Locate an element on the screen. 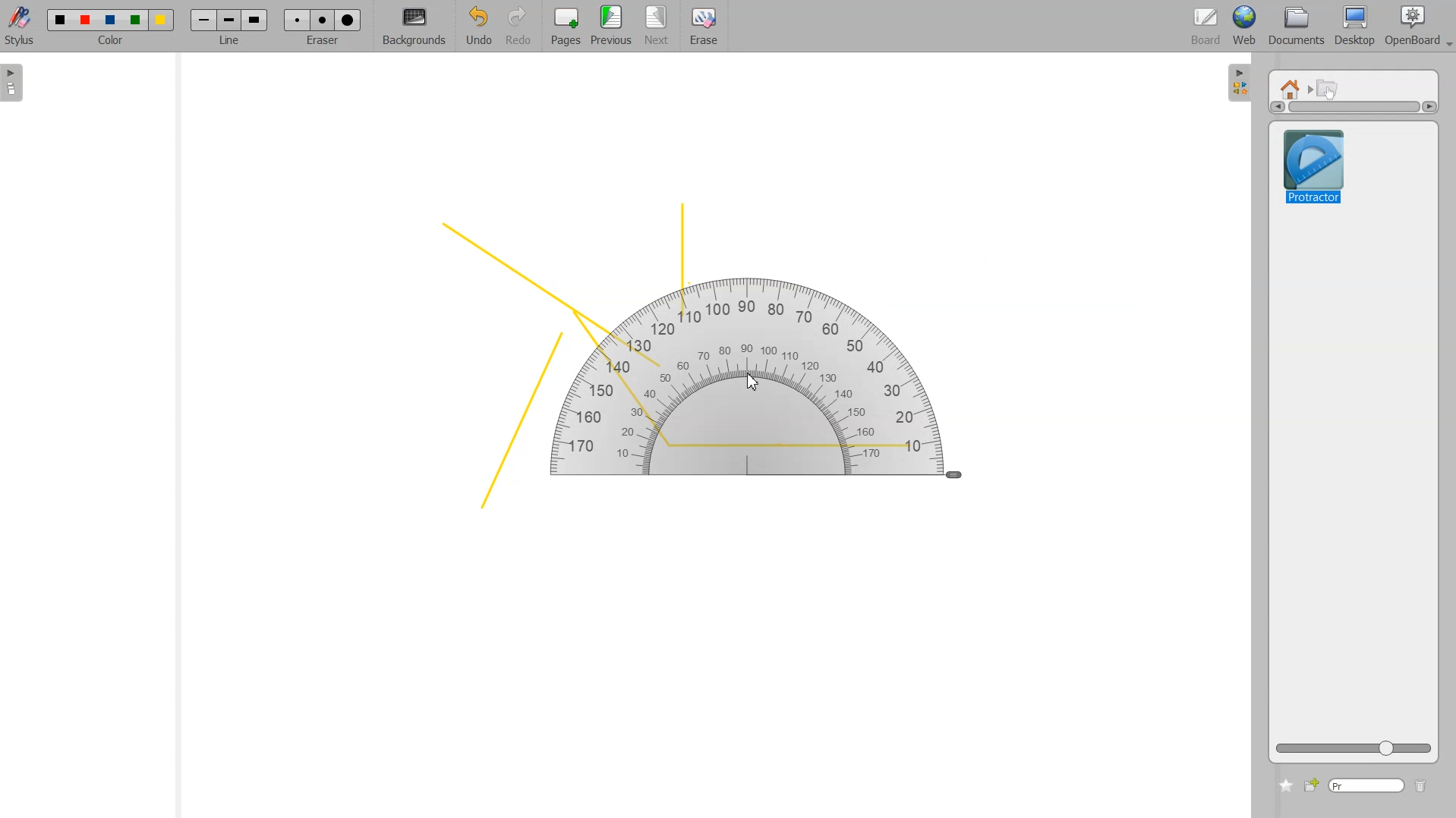 Image resolution: width=1456 pixels, height=818 pixels. Type window is located at coordinates (1366, 786).